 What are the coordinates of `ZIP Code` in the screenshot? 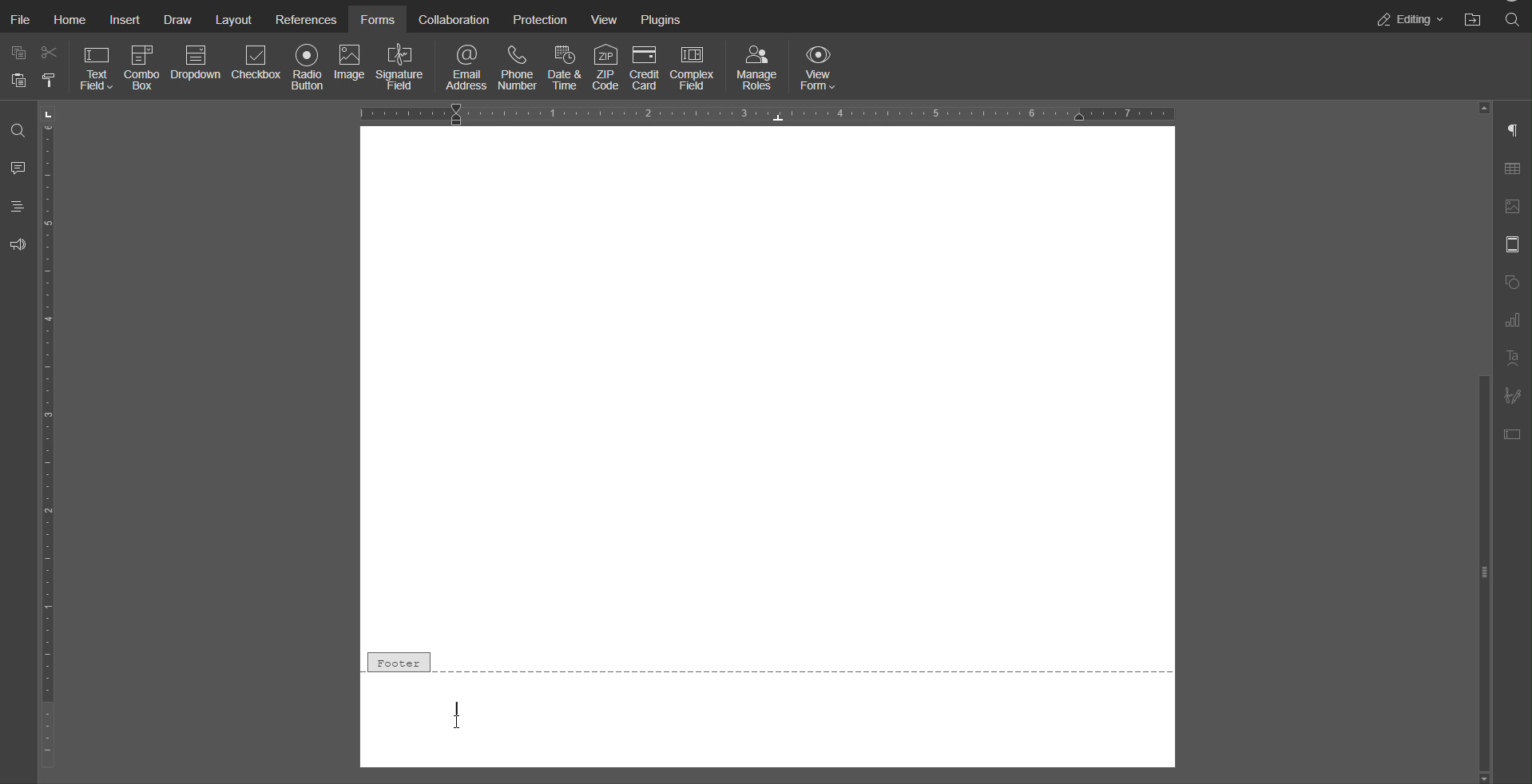 It's located at (607, 67).